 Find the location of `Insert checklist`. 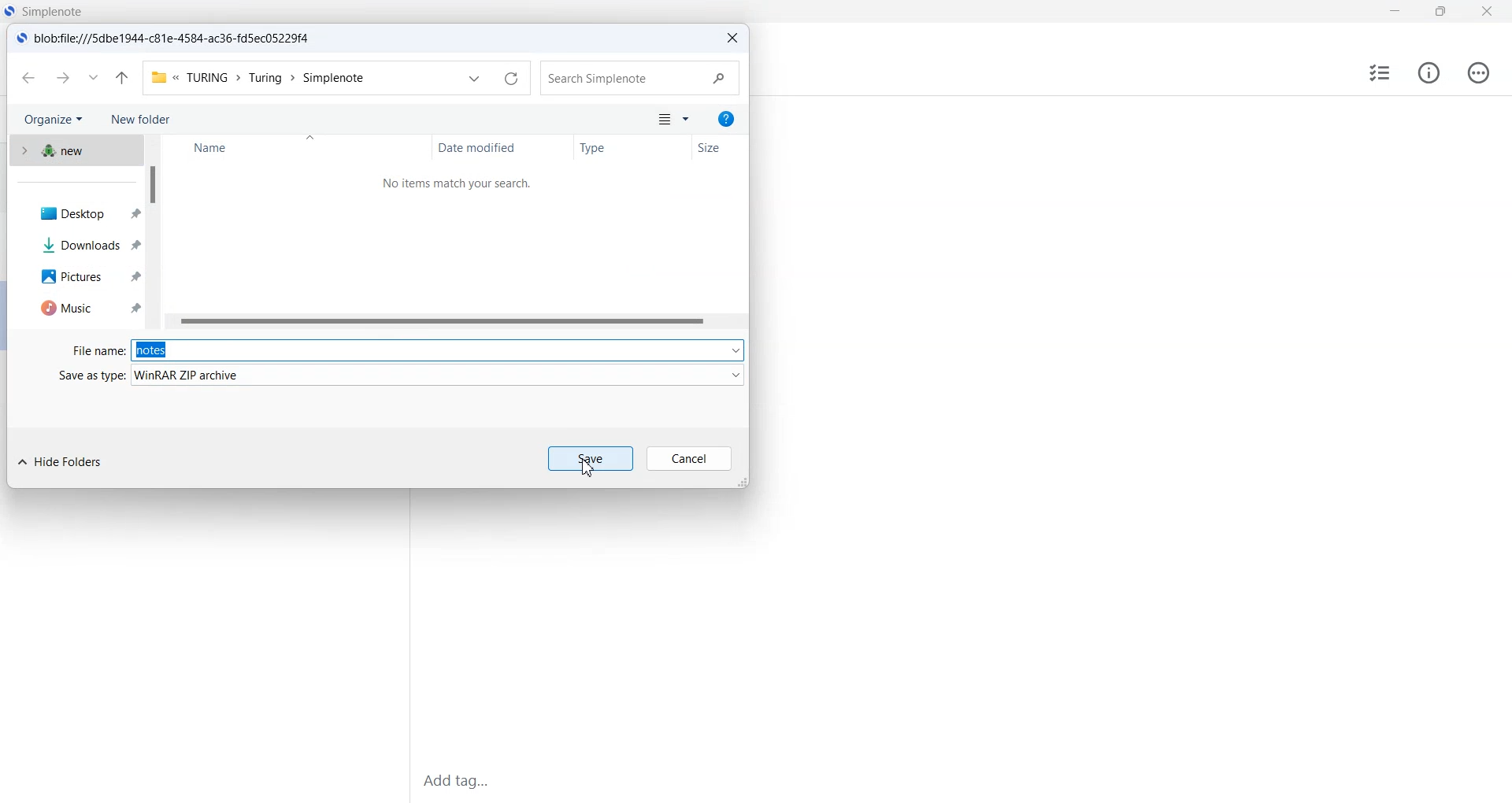

Insert checklist is located at coordinates (1378, 73).